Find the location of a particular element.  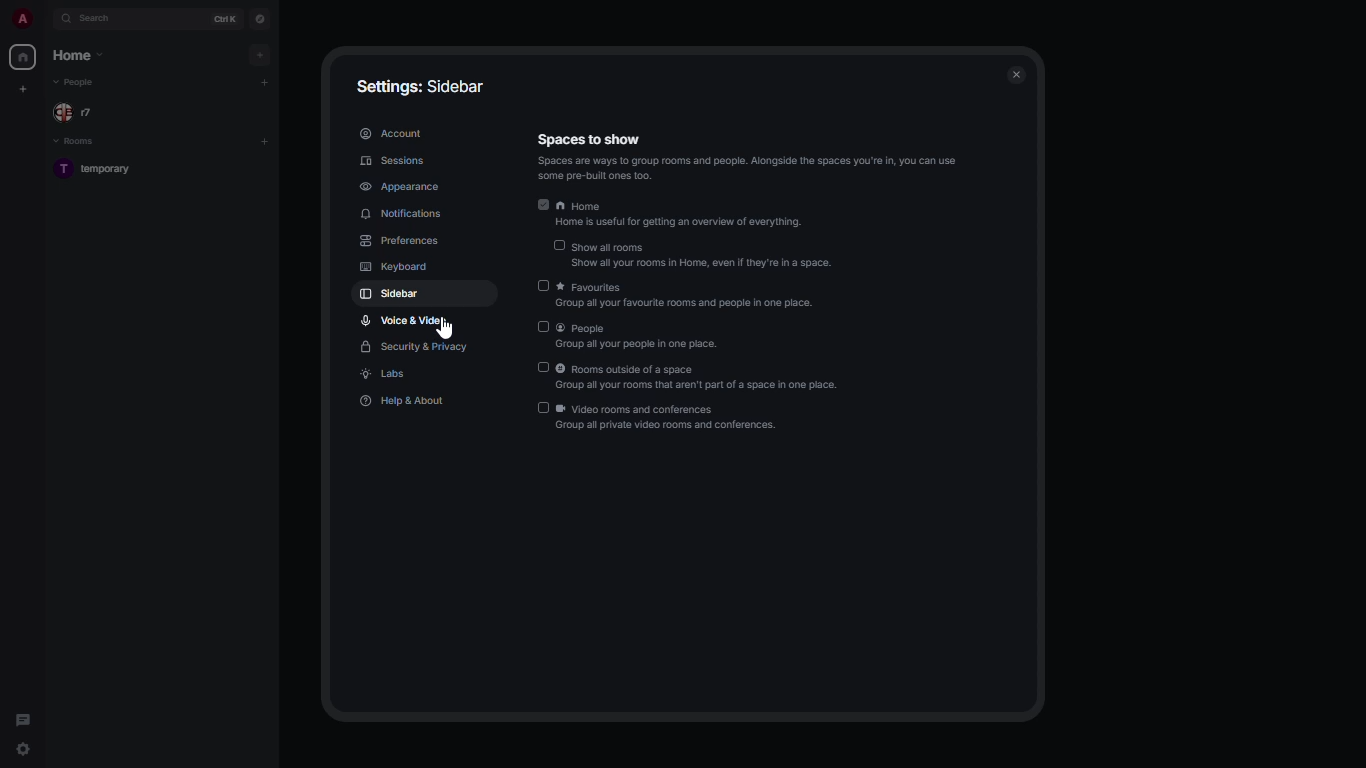

add is located at coordinates (264, 139).